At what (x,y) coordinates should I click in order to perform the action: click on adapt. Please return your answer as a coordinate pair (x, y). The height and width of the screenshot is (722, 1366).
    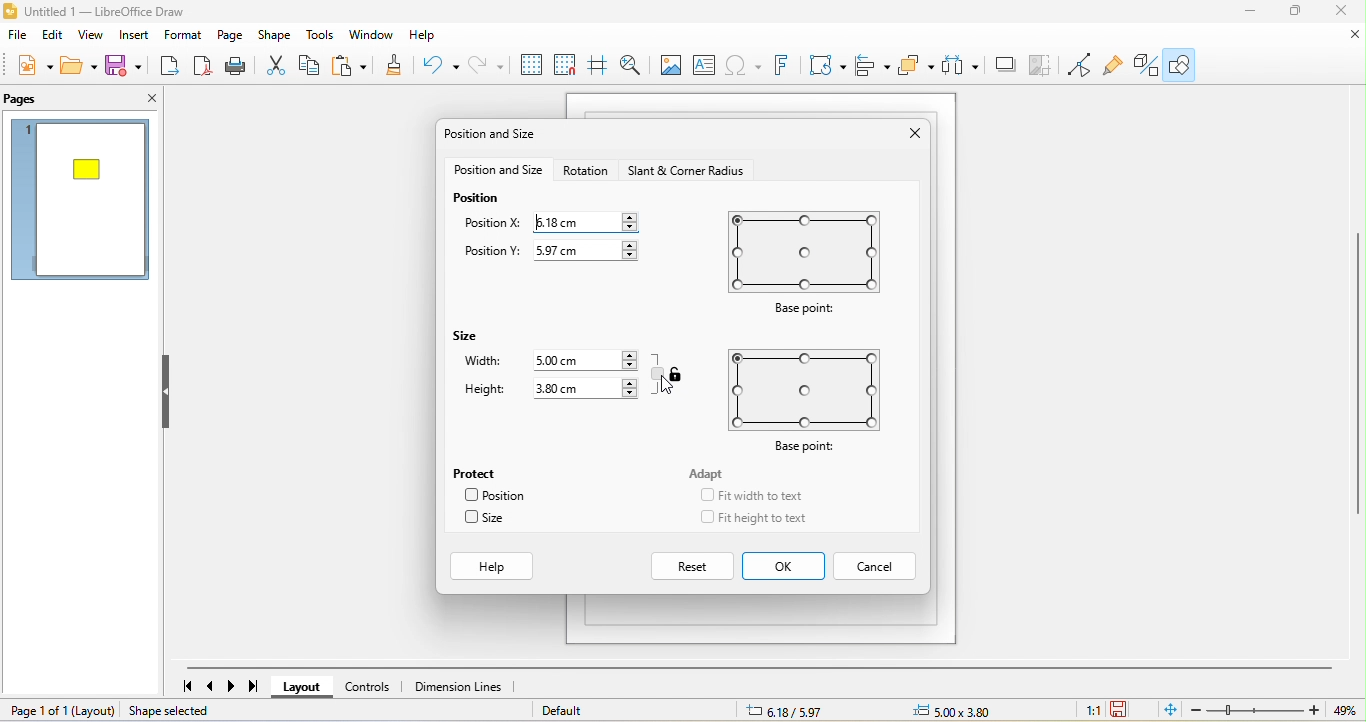
    Looking at the image, I should click on (705, 476).